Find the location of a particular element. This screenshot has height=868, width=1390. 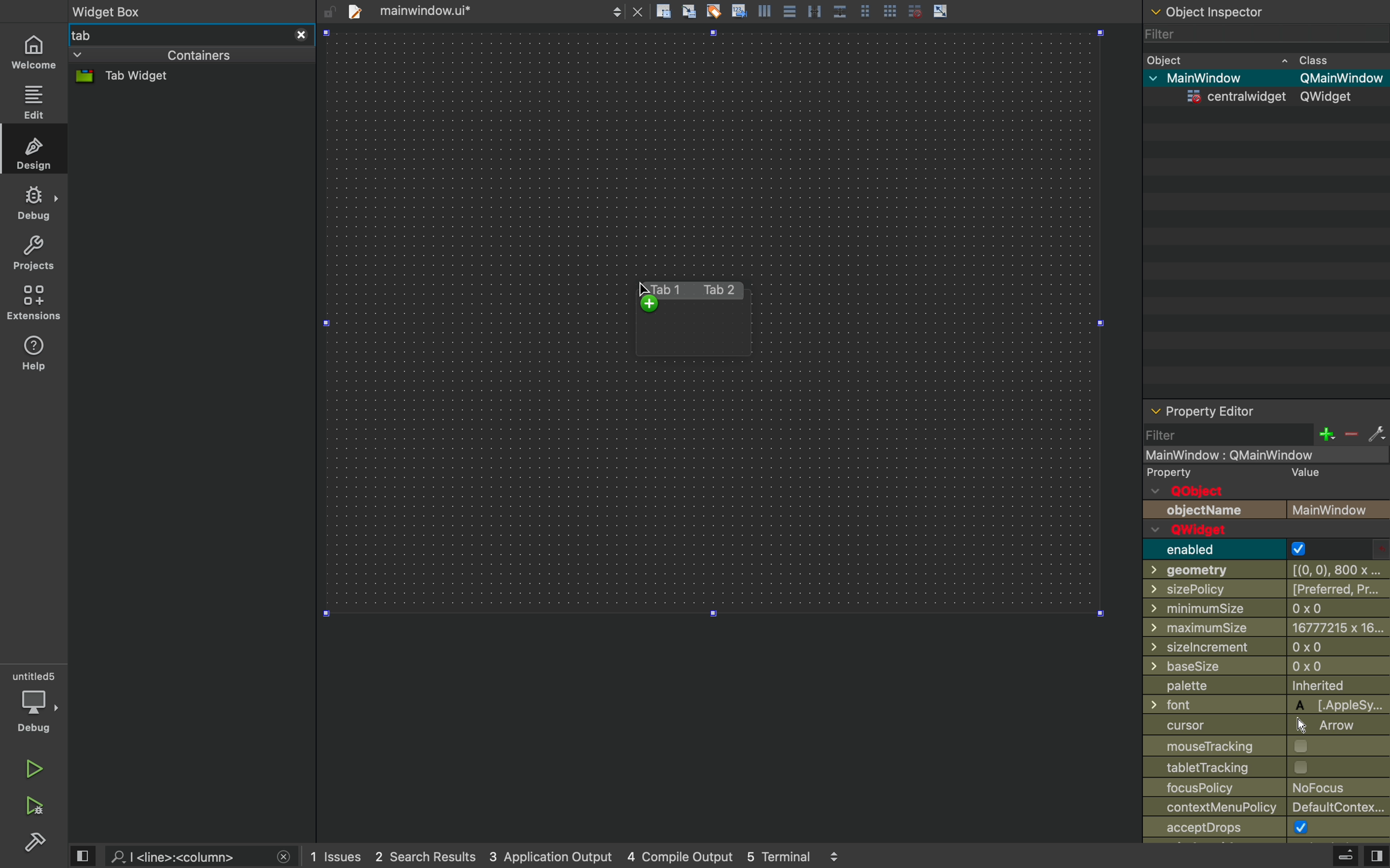

palette is located at coordinates (1262, 688).